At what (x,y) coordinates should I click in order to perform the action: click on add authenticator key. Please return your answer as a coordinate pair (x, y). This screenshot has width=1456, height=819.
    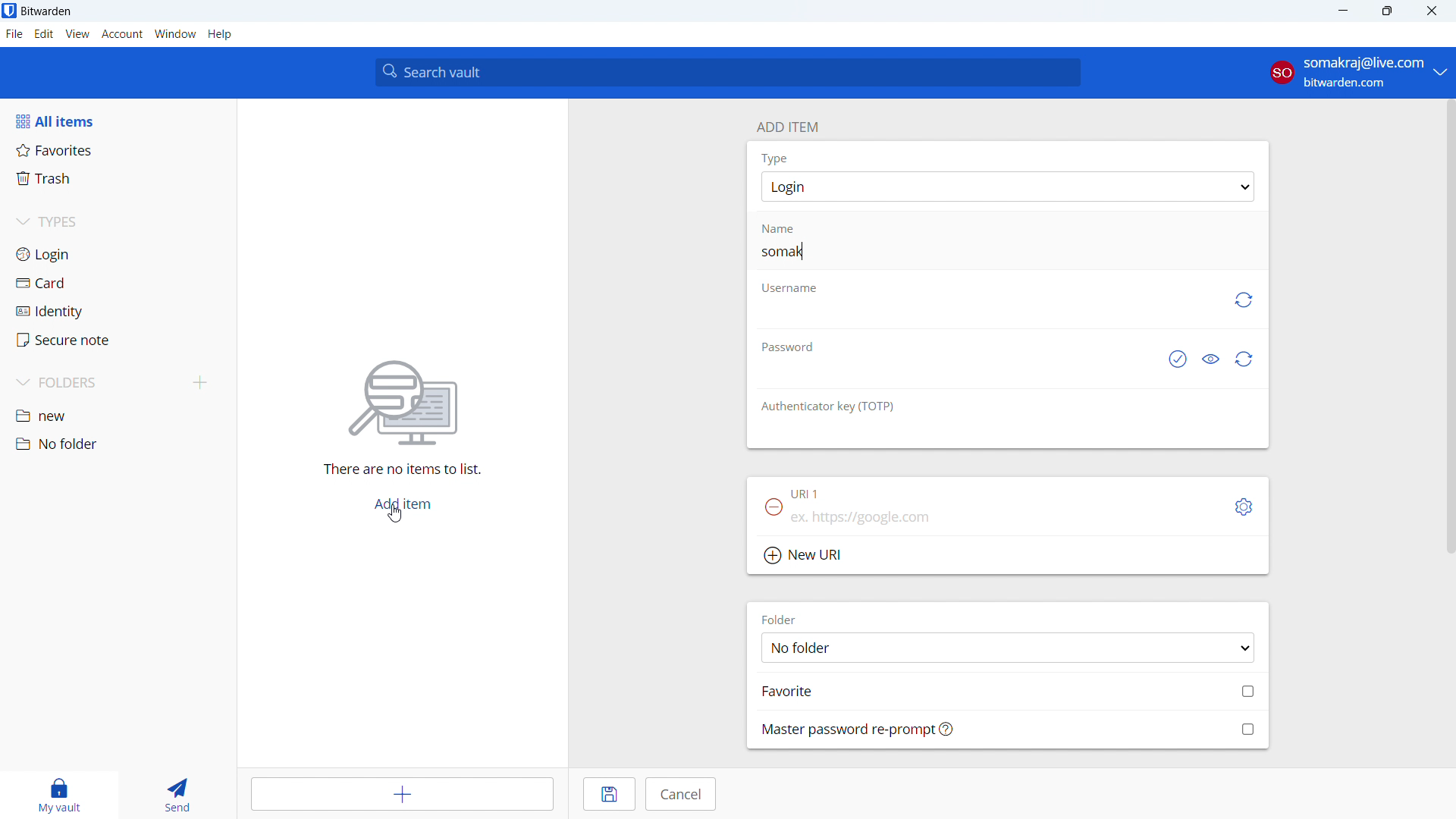
    Looking at the image, I should click on (1007, 435).